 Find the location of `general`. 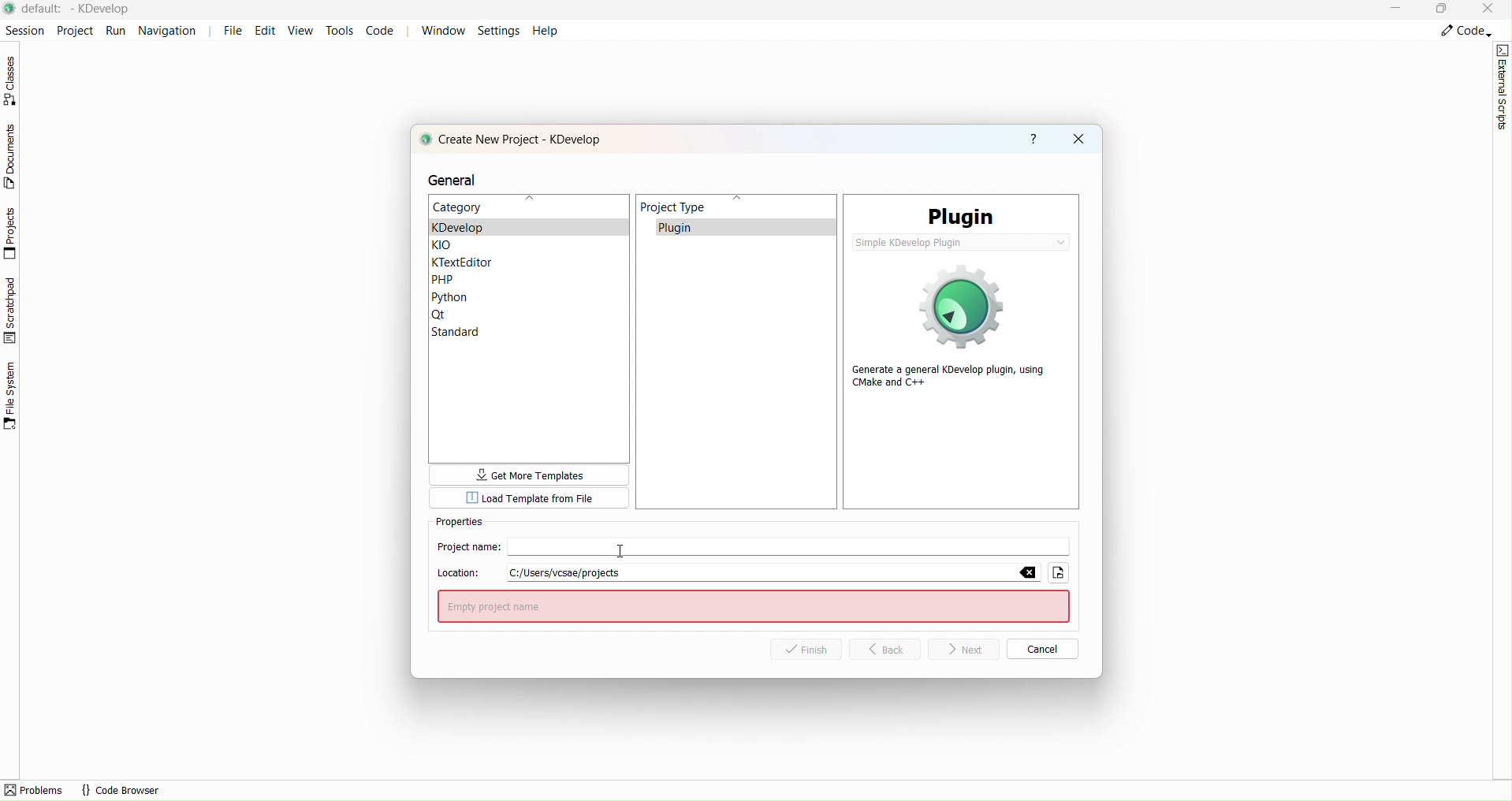

general is located at coordinates (464, 178).